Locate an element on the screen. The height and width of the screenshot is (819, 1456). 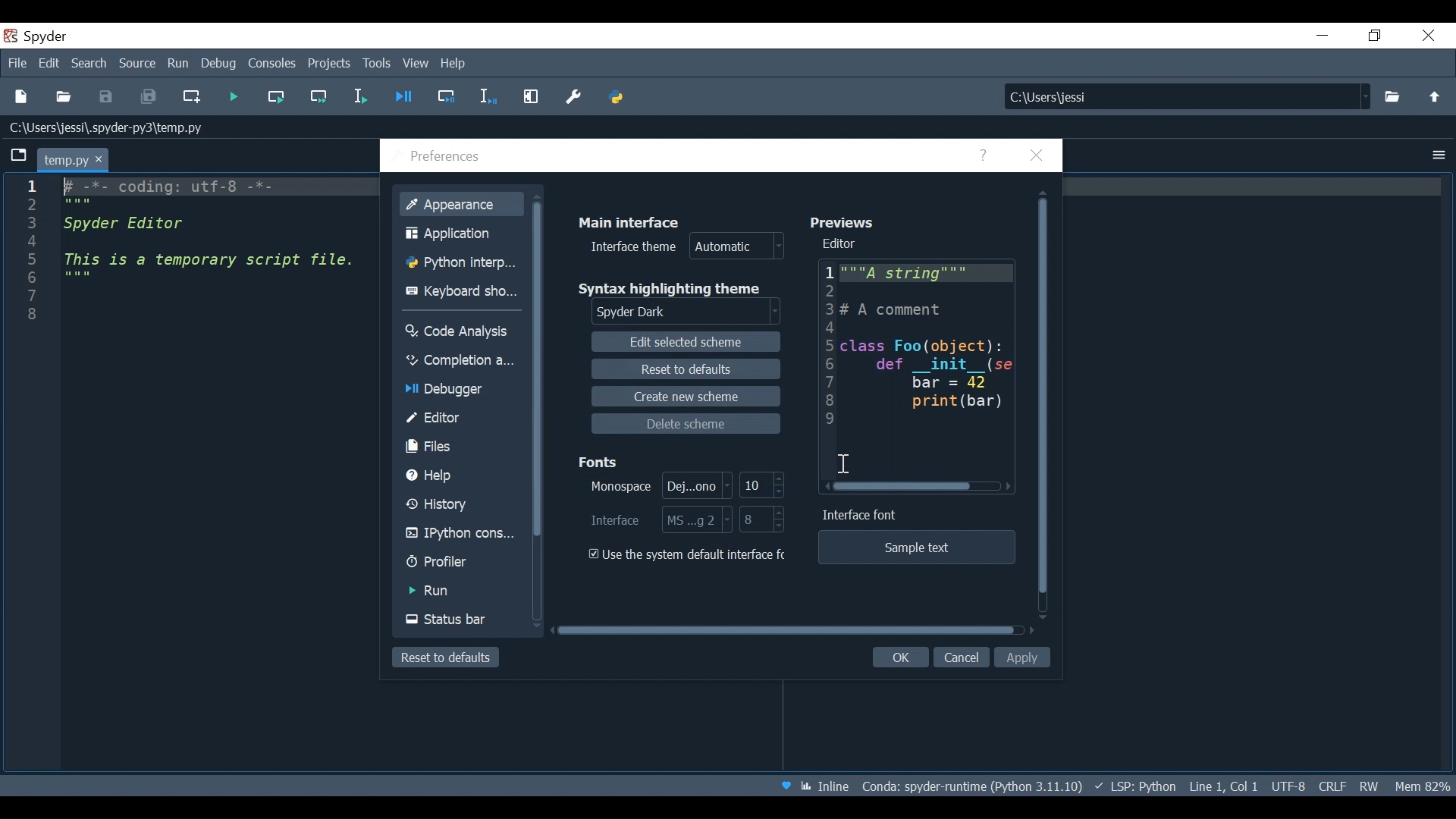
Search is located at coordinates (90, 64).